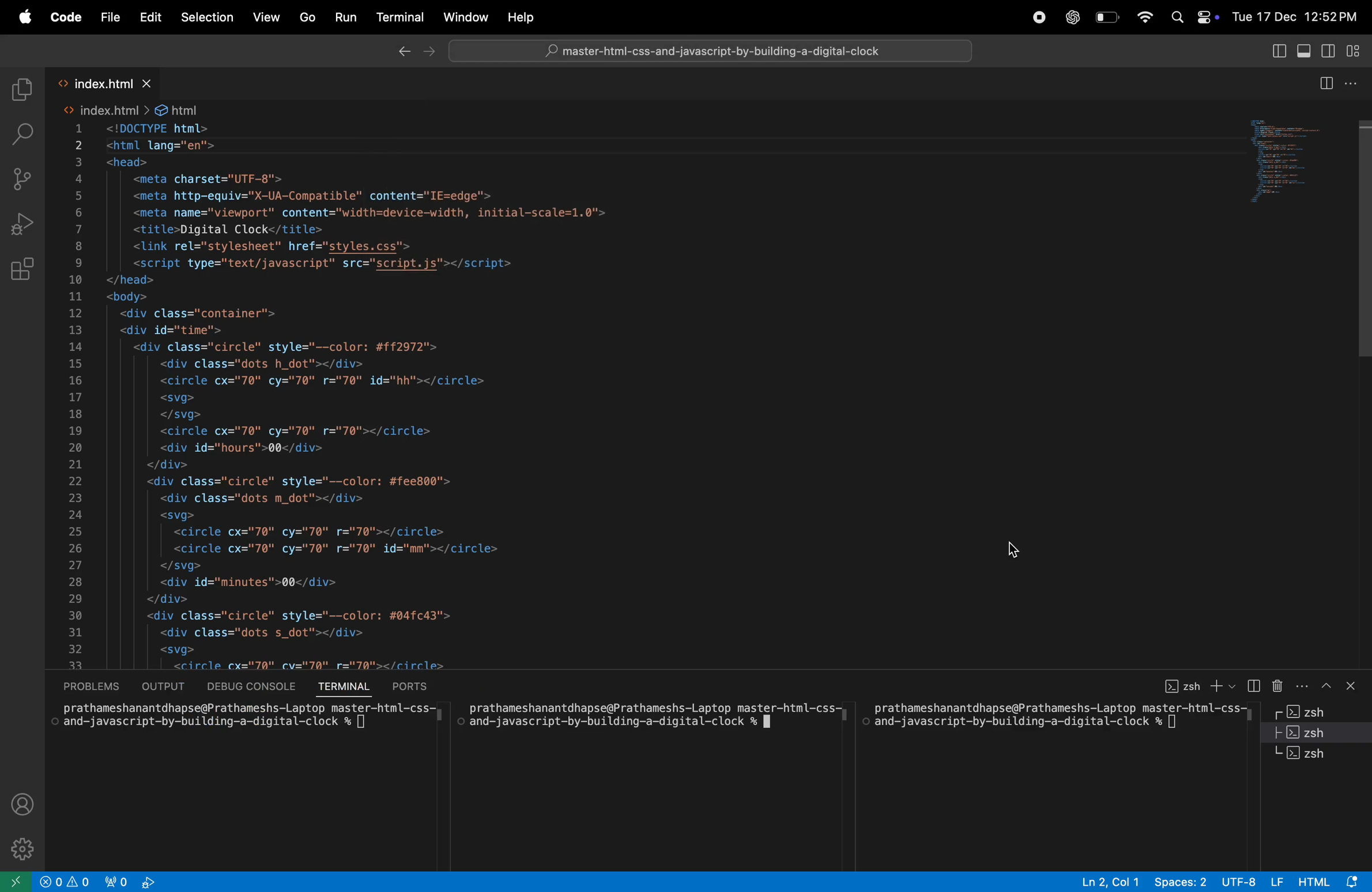 The image size is (1372, 892). I want to click on Ml allidiiCatiatiatitutiapotiur it dliiailiColio™Lap Lup lida LCi —iiLiit=Lvoo
and-javascript-by-building-a-digital-clock % [], so click(246, 714).